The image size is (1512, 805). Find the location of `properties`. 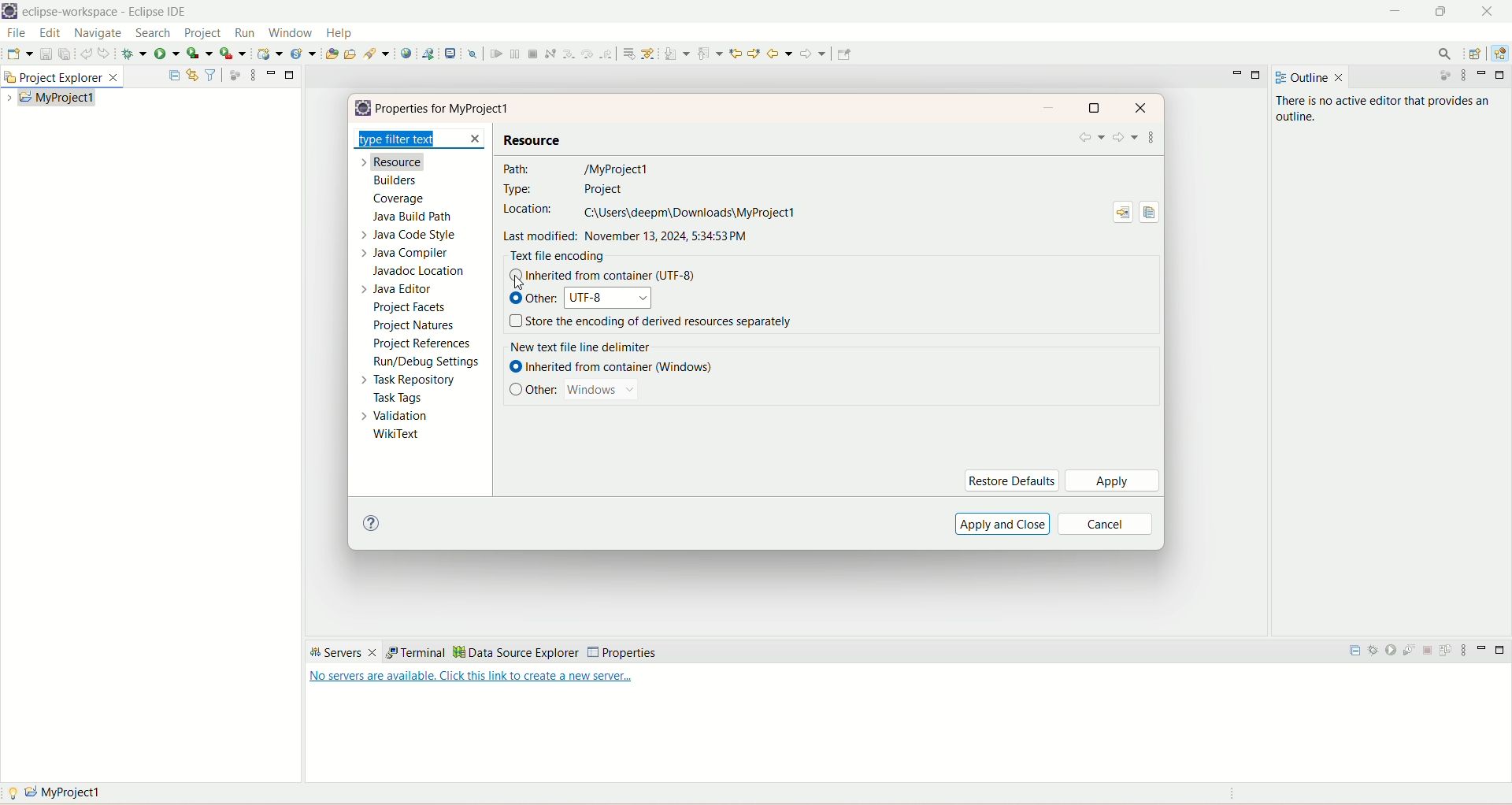

properties is located at coordinates (621, 652).